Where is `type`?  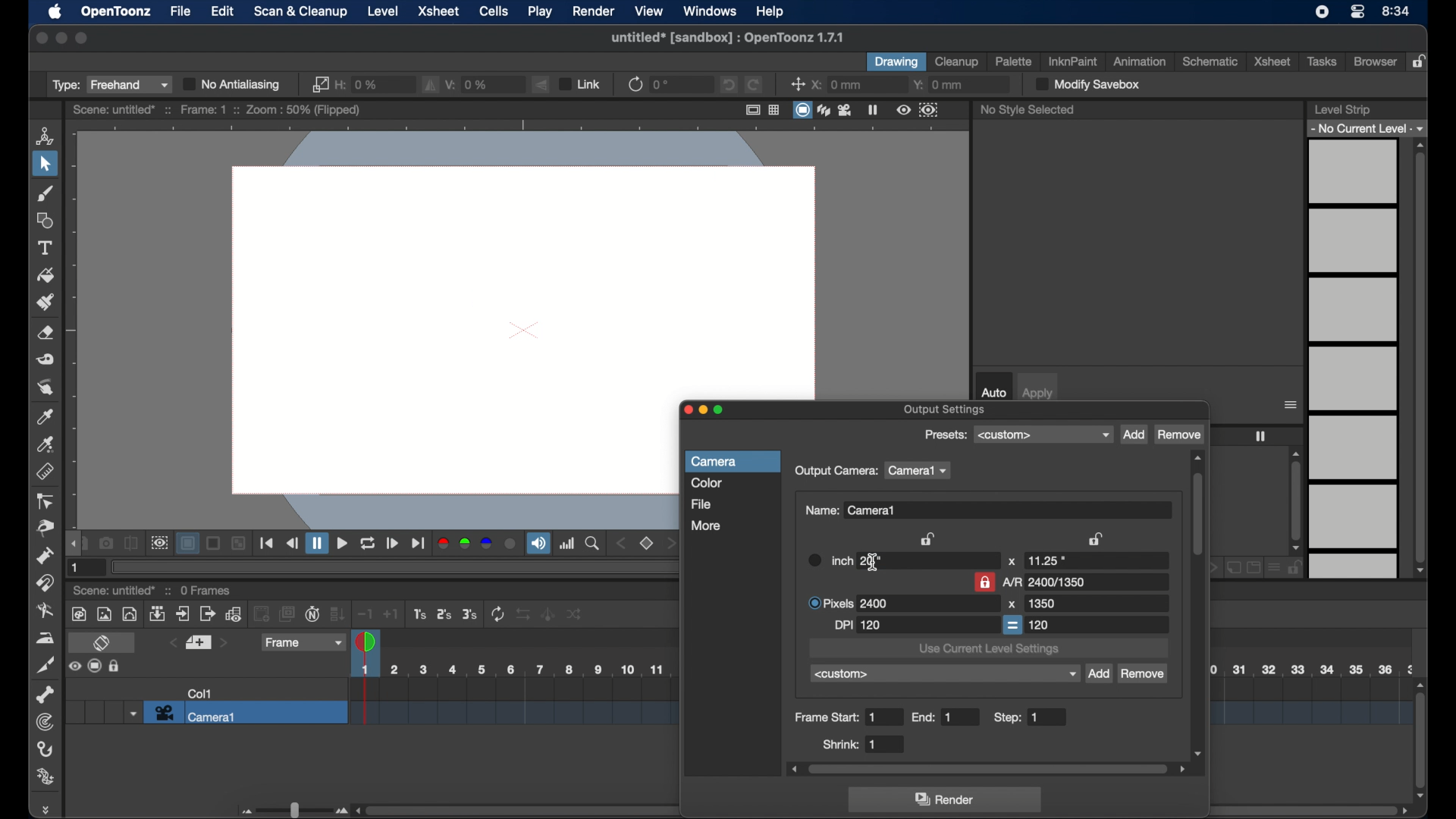 type is located at coordinates (110, 84).